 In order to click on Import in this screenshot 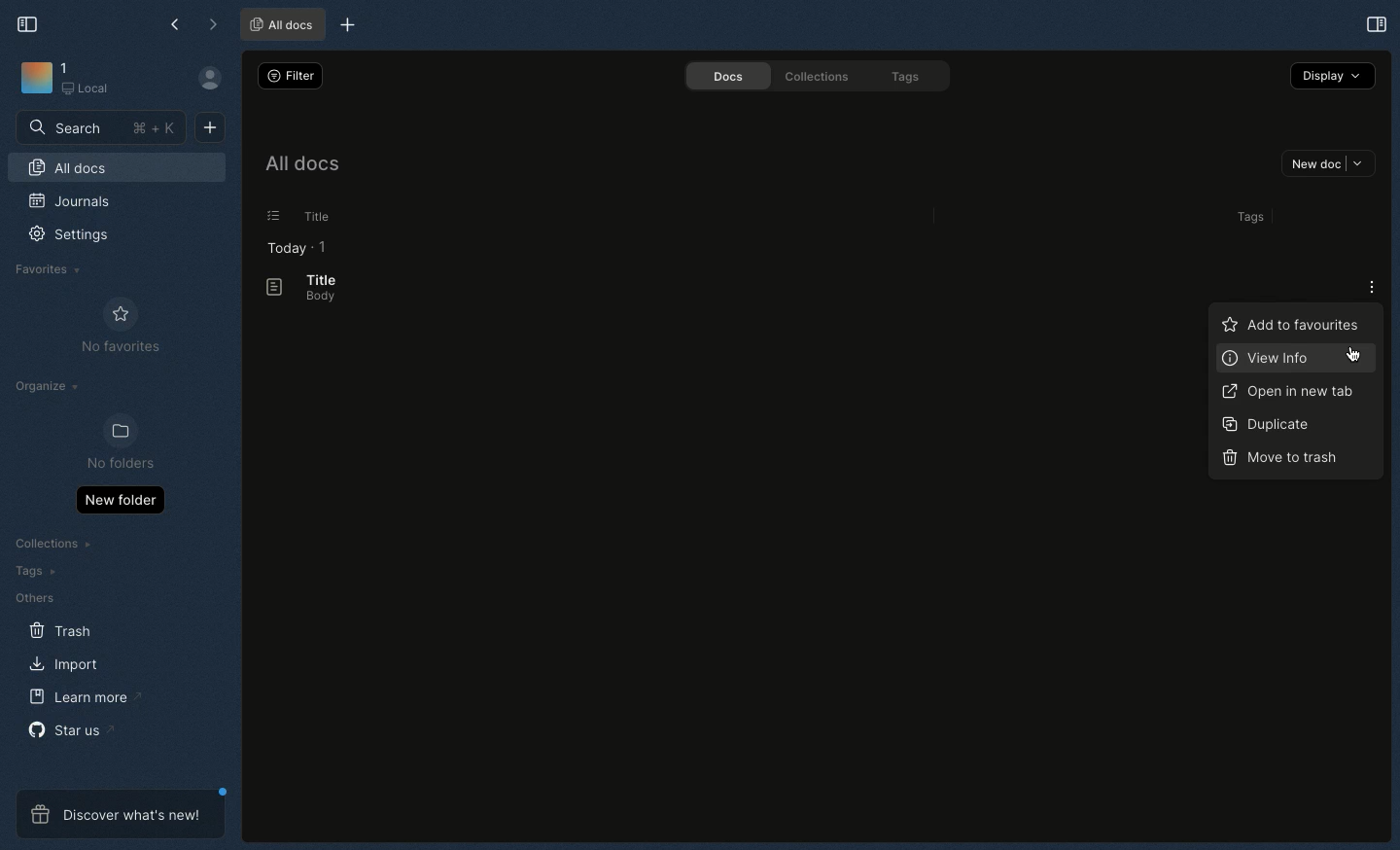, I will do `click(67, 663)`.